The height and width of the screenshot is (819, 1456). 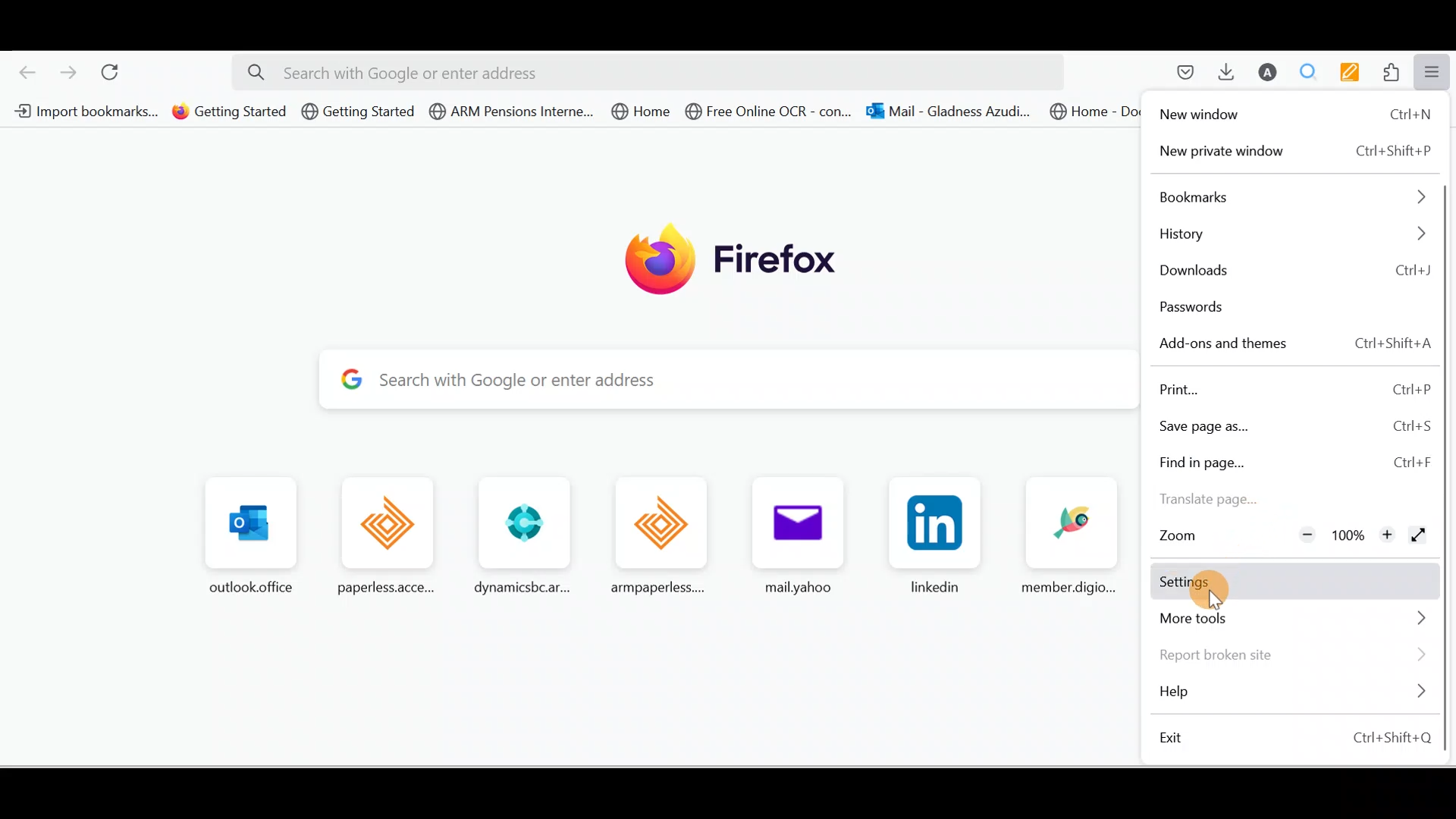 I want to click on Go forward back one page, so click(x=71, y=71).